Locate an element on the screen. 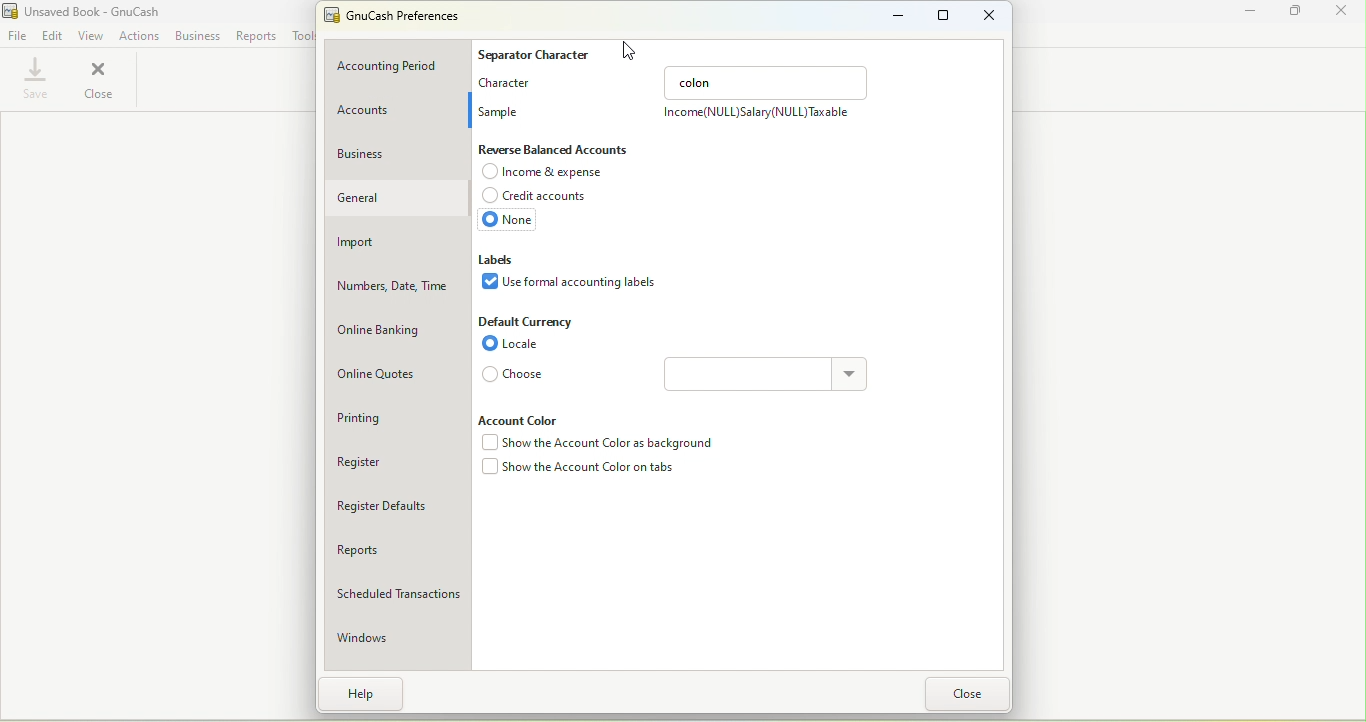  Close is located at coordinates (1346, 14).